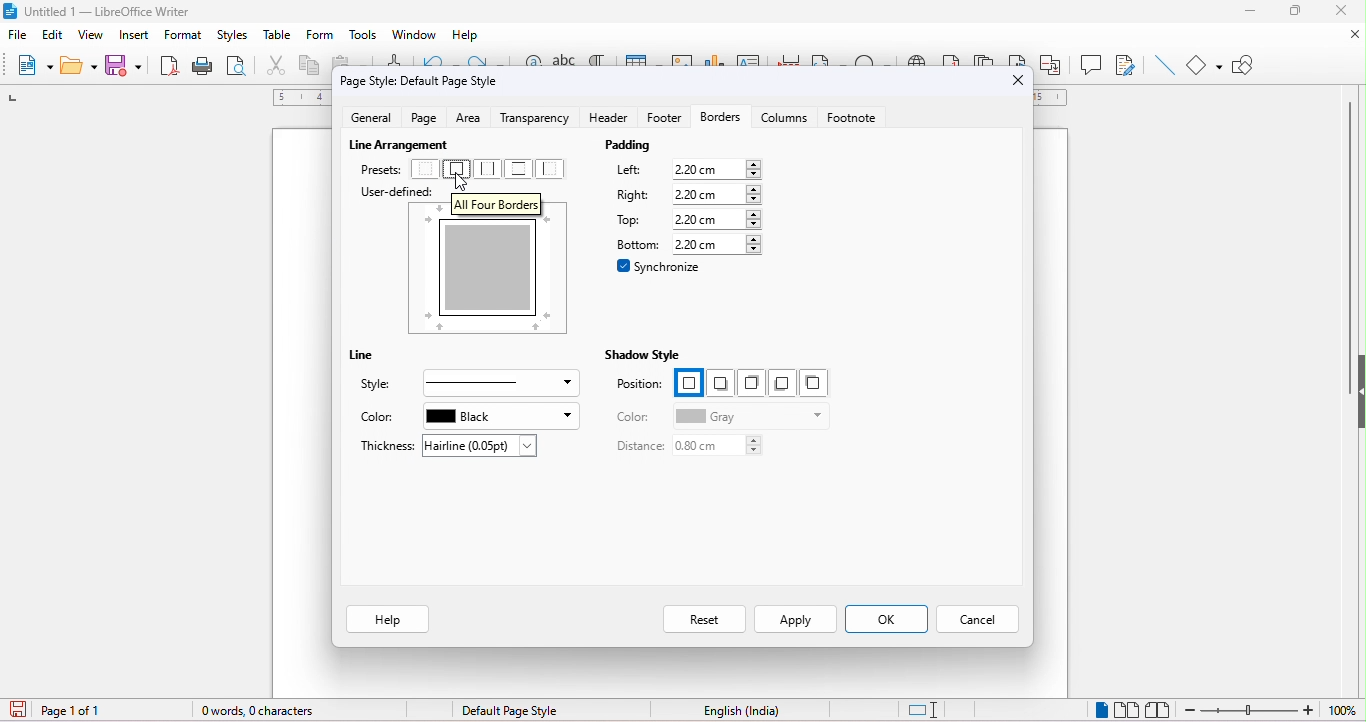 This screenshot has width=1366, height=722. Describe the element at coordinates (185, 36) in the screenshot. I see `format` at that location.